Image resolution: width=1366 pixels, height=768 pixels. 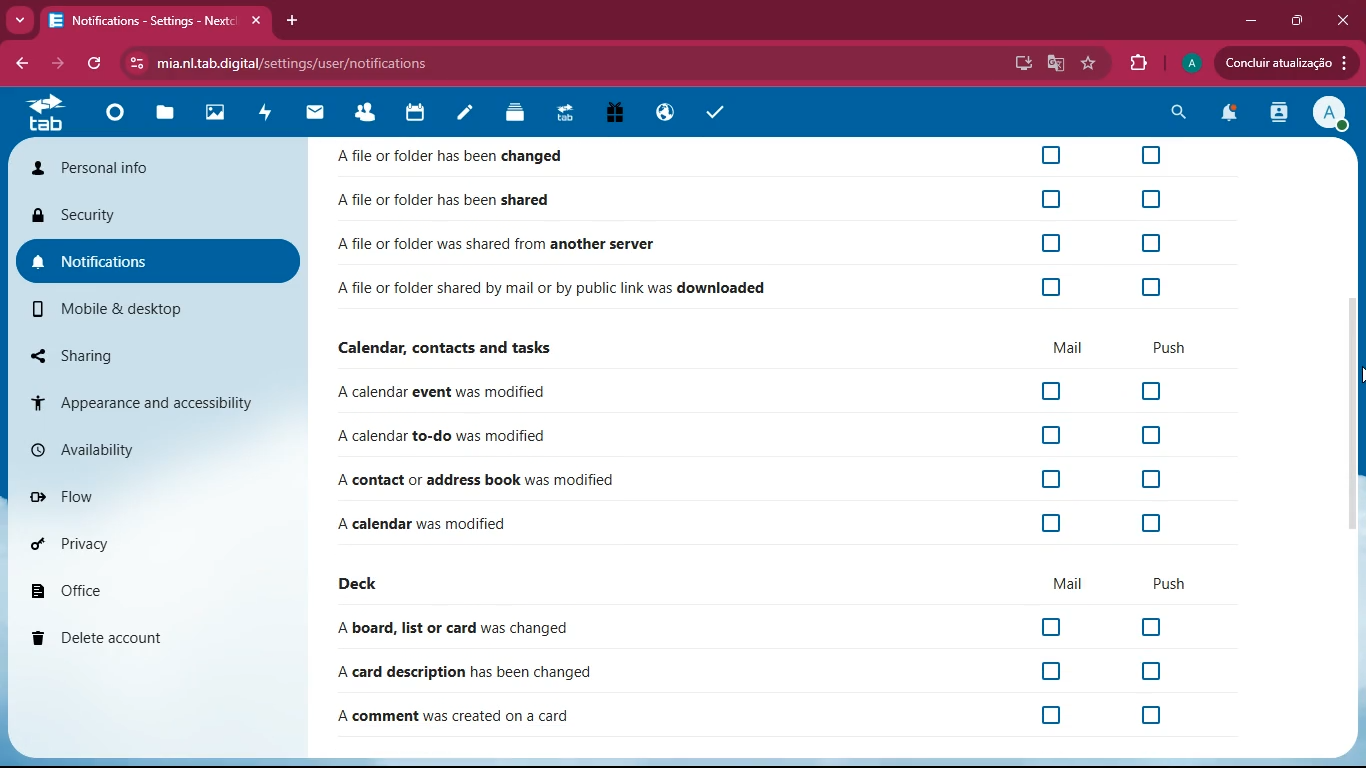 I want to click on desktop, so click(x=1019, y=63).